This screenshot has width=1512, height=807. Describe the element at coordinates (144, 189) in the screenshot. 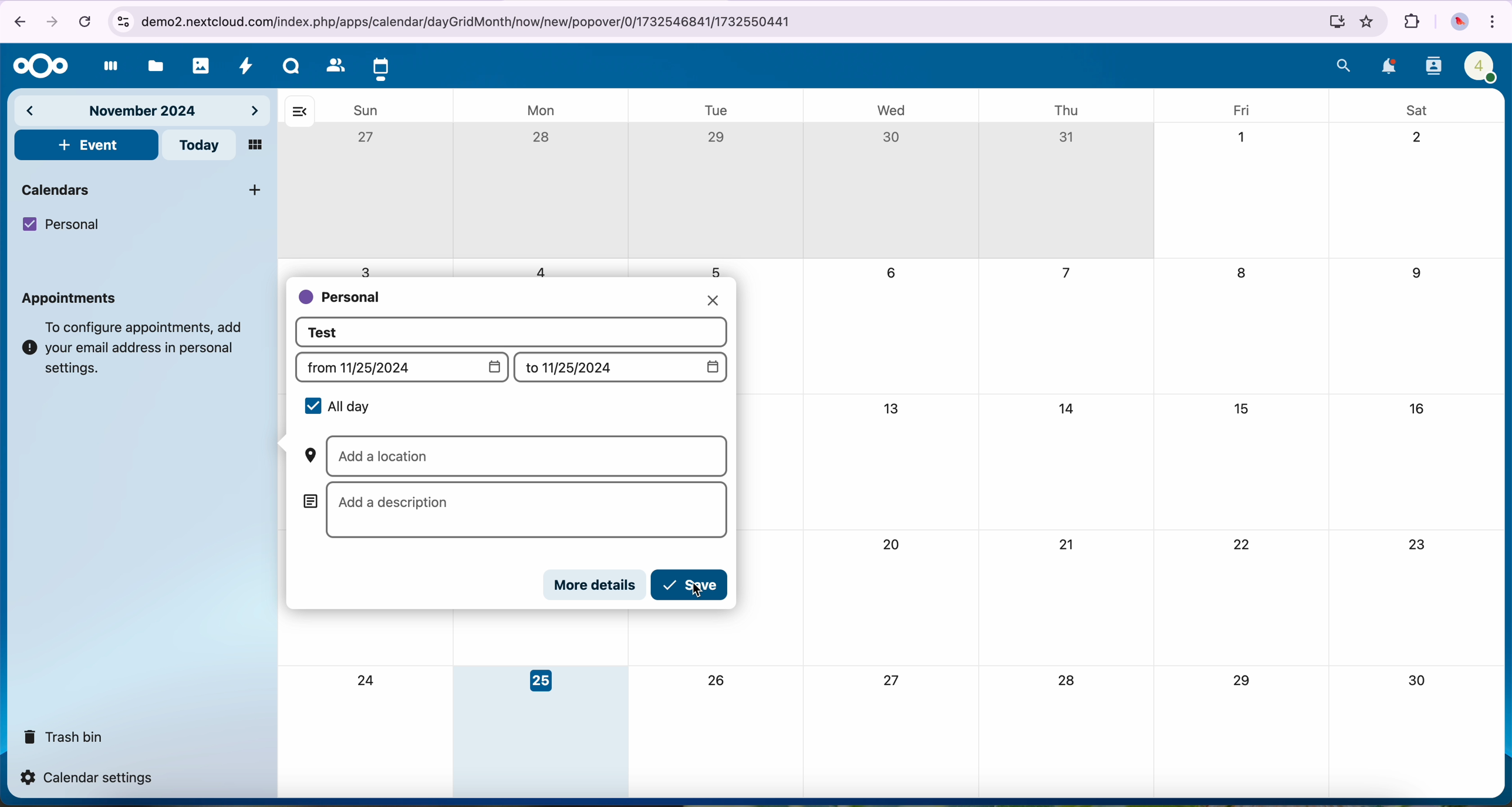

I see `calendars` at that location.